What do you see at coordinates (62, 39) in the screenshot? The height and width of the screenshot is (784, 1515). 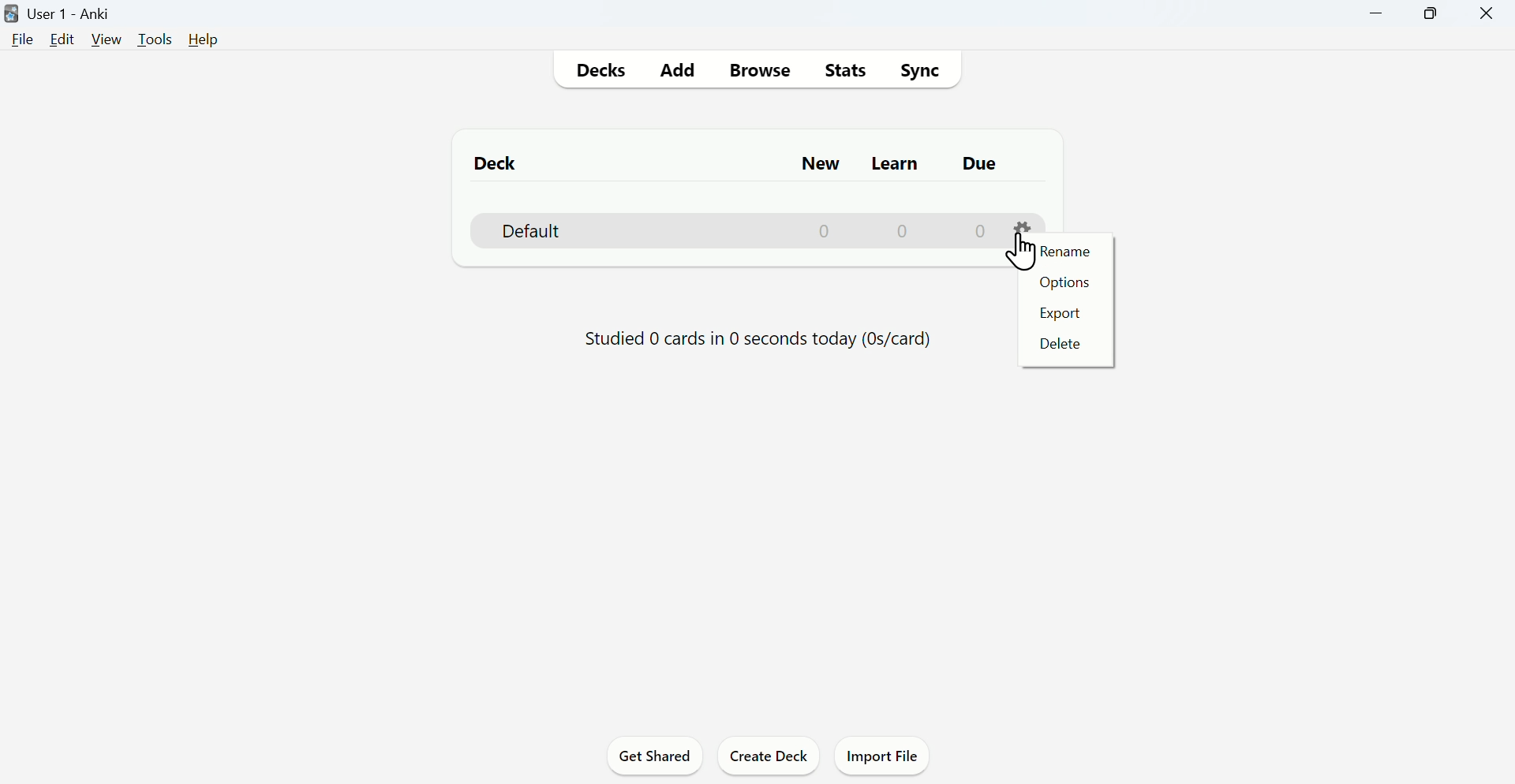 I see `Edit` at bounding box center [62, 39].